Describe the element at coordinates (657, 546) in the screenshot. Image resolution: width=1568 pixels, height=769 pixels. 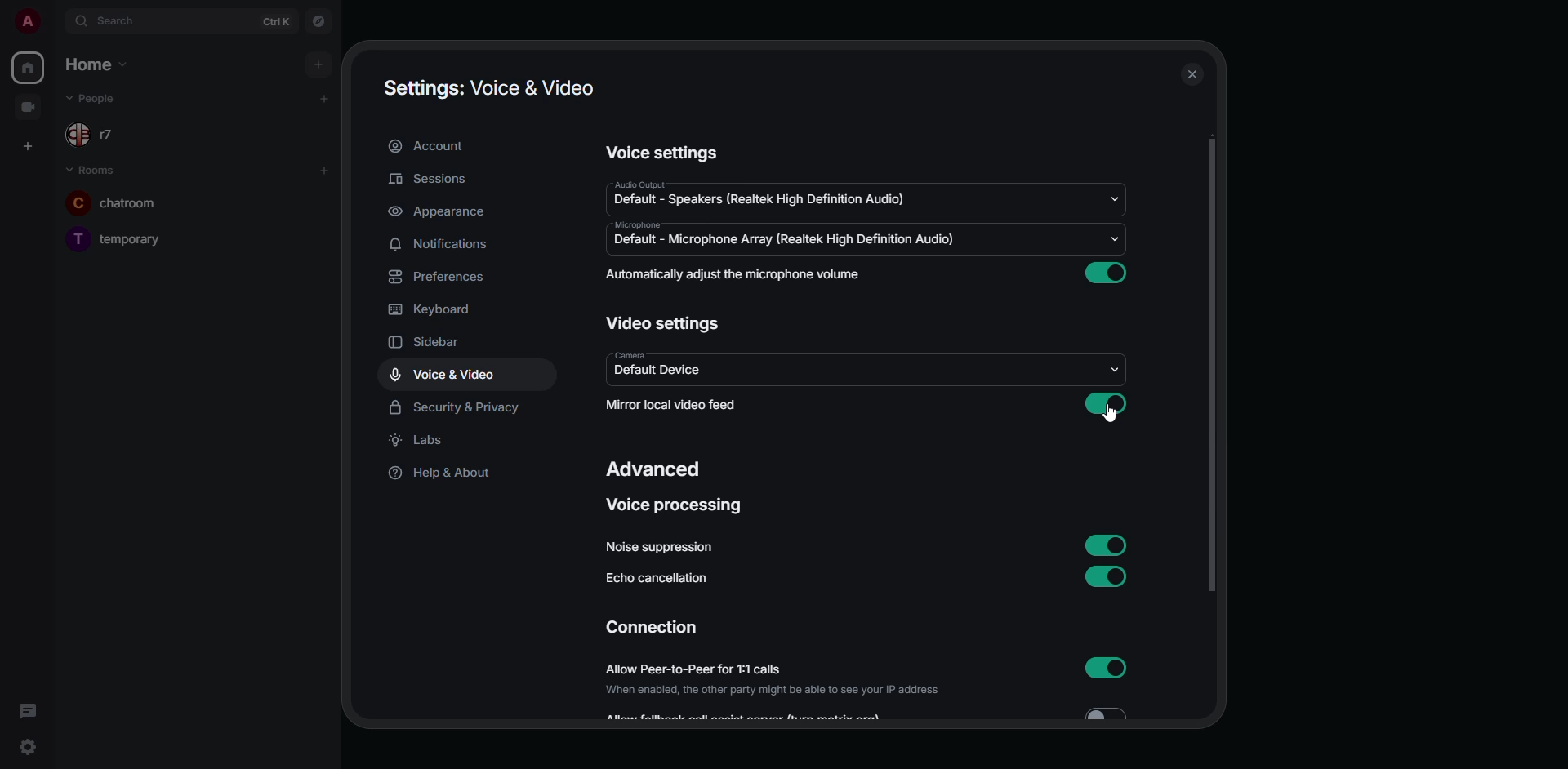
I see `noise suppression` at that location.